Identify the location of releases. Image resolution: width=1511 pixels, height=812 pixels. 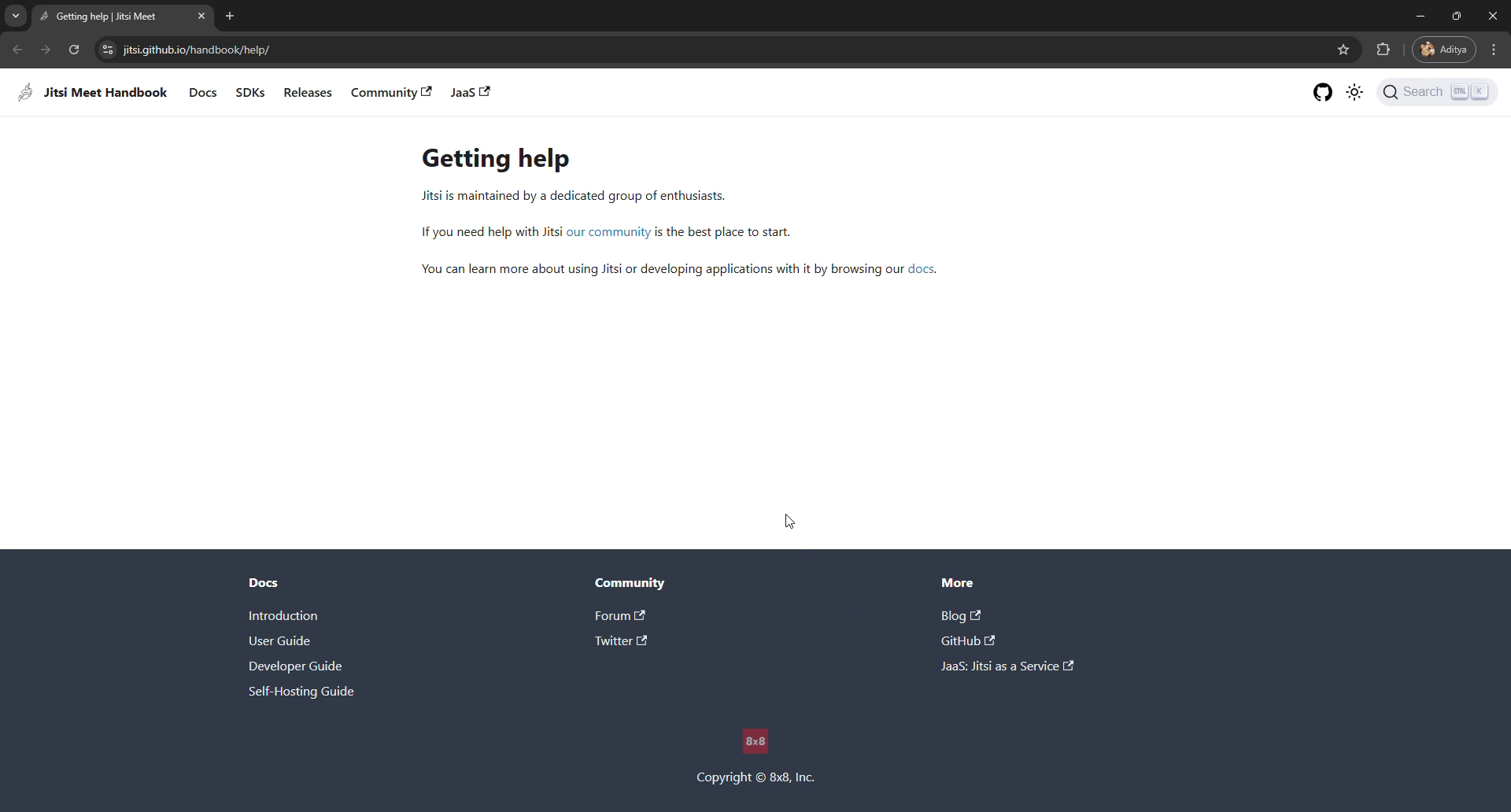
(305, 91).